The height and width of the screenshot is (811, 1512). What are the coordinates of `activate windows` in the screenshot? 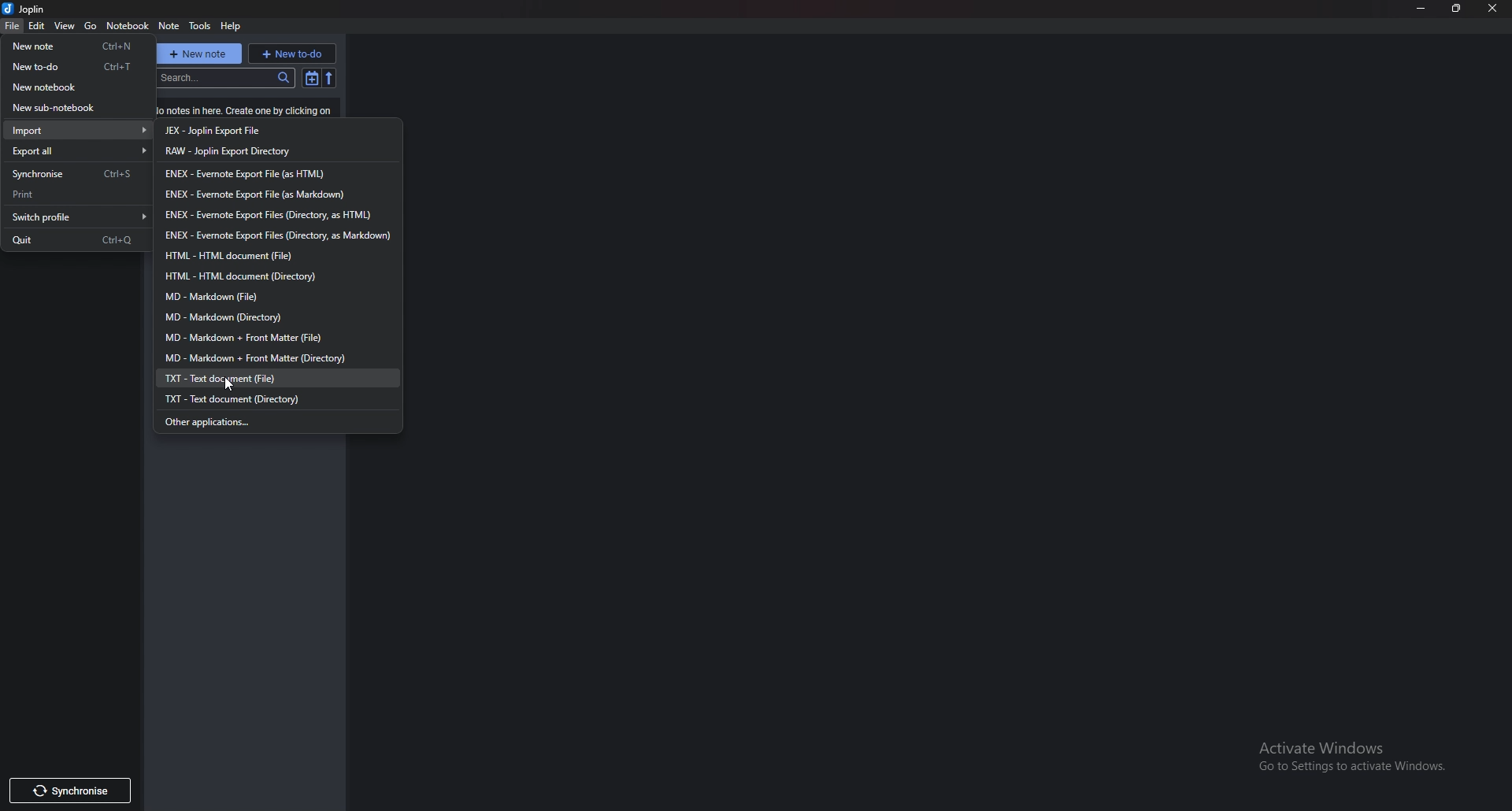 It's located at (1354, 754).